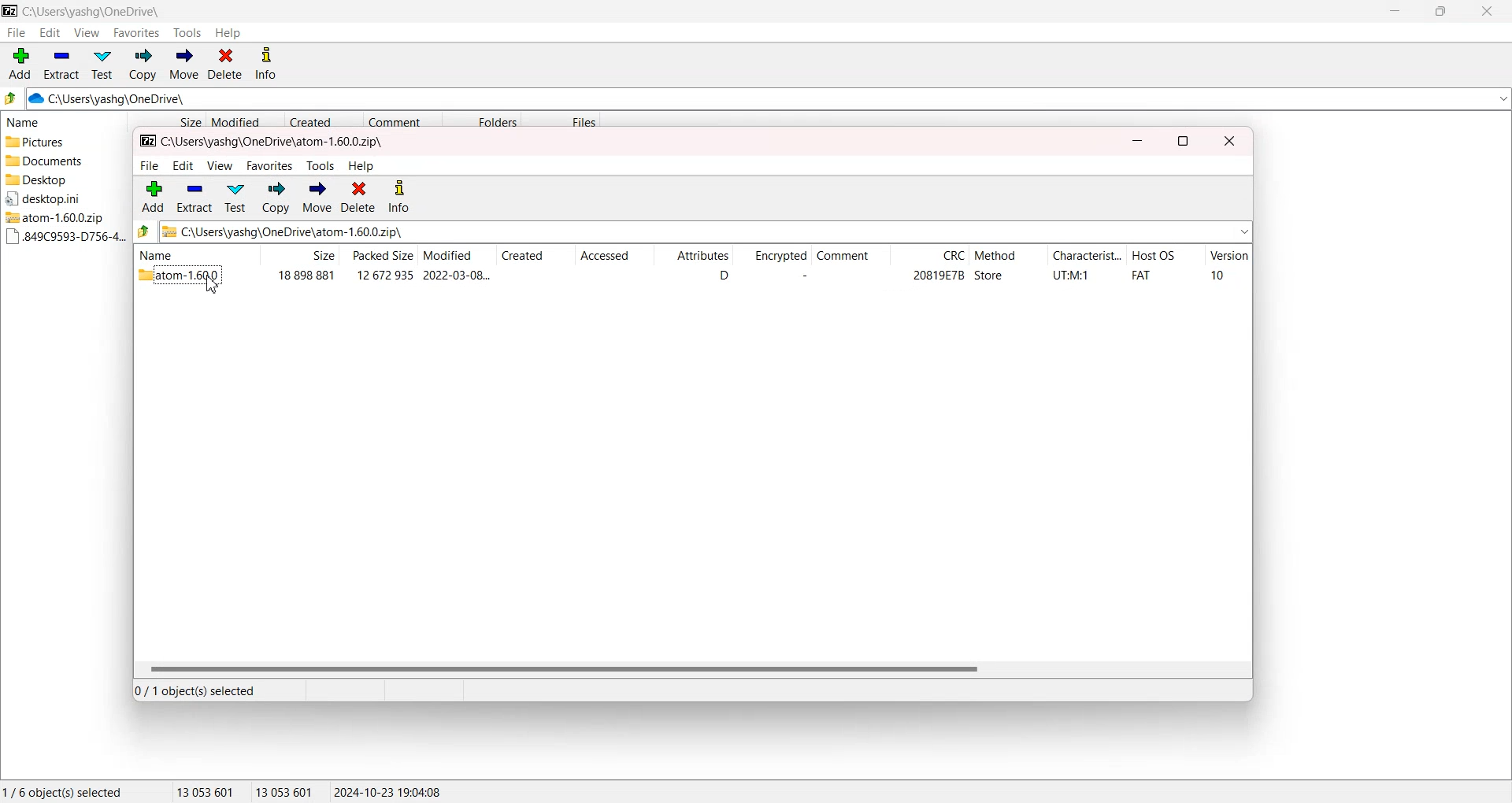 This screenshot has height=803, width=1512. Describe the element at coordinates (1183, 142) in the screenshot. I see `maximize` at that location.